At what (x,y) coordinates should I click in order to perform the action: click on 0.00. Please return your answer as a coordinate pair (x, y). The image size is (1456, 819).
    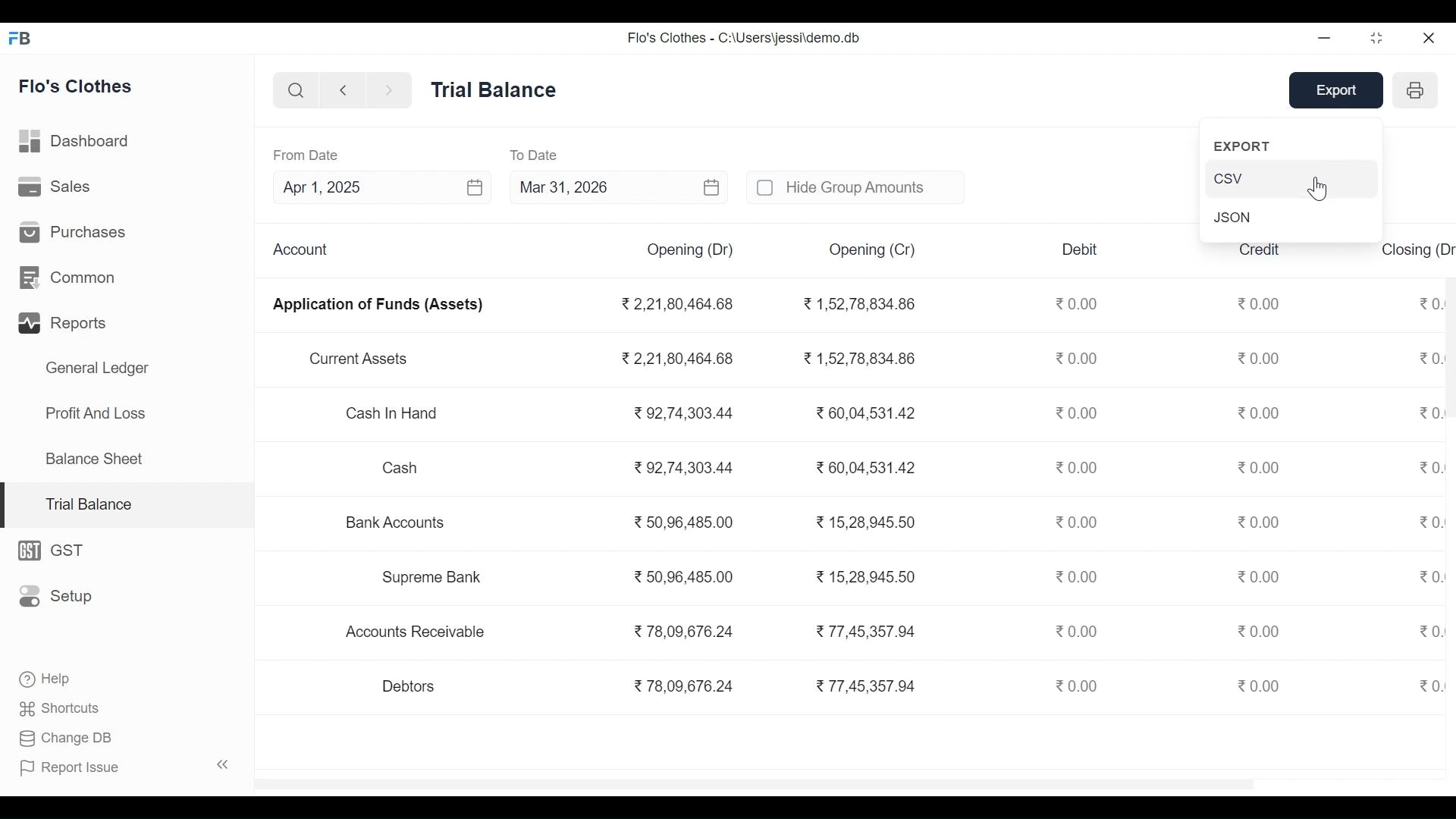
    Looking at the image, I should click on (1080, 631).